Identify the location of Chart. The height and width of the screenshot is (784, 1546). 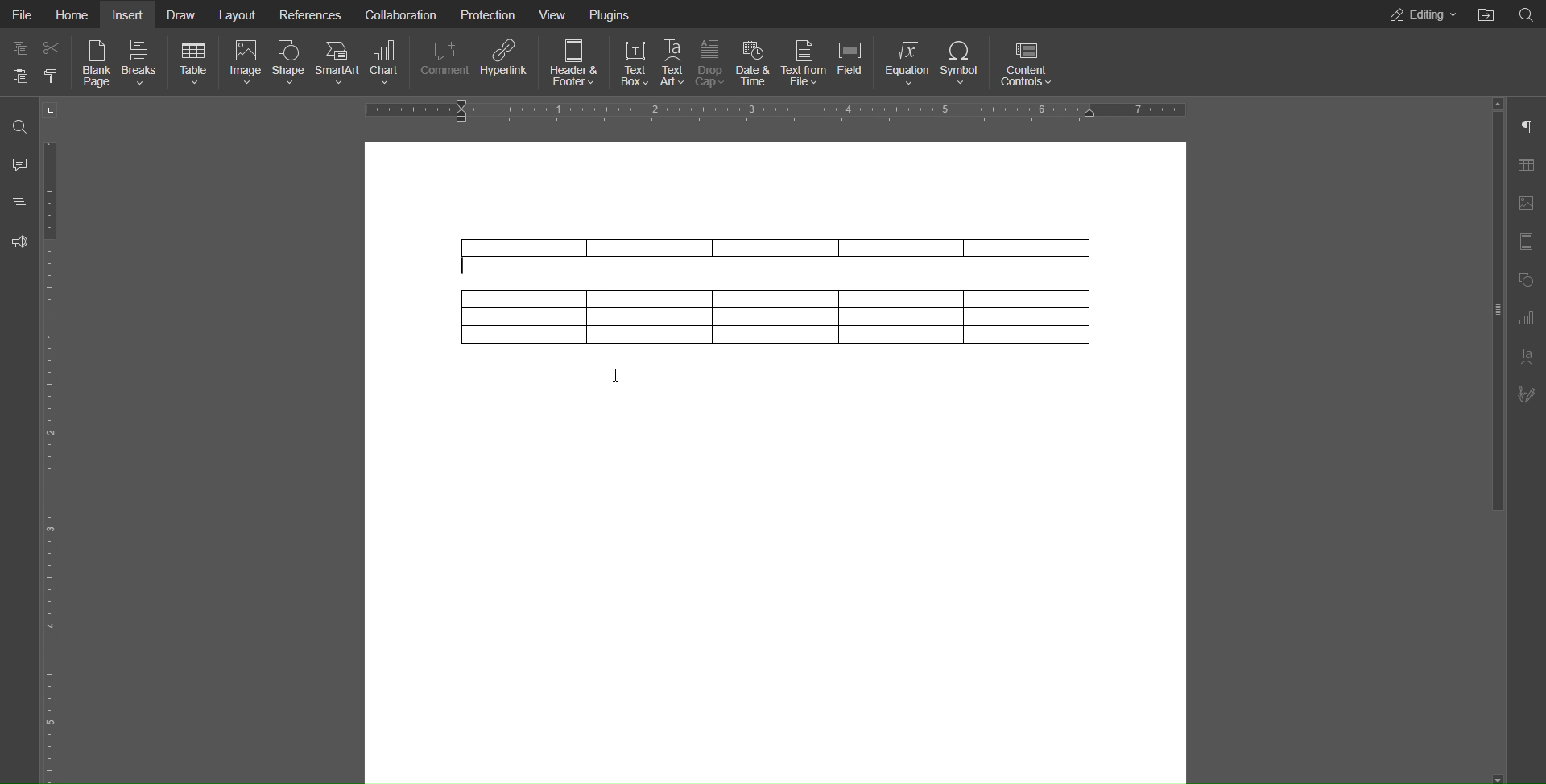
(386, 64).